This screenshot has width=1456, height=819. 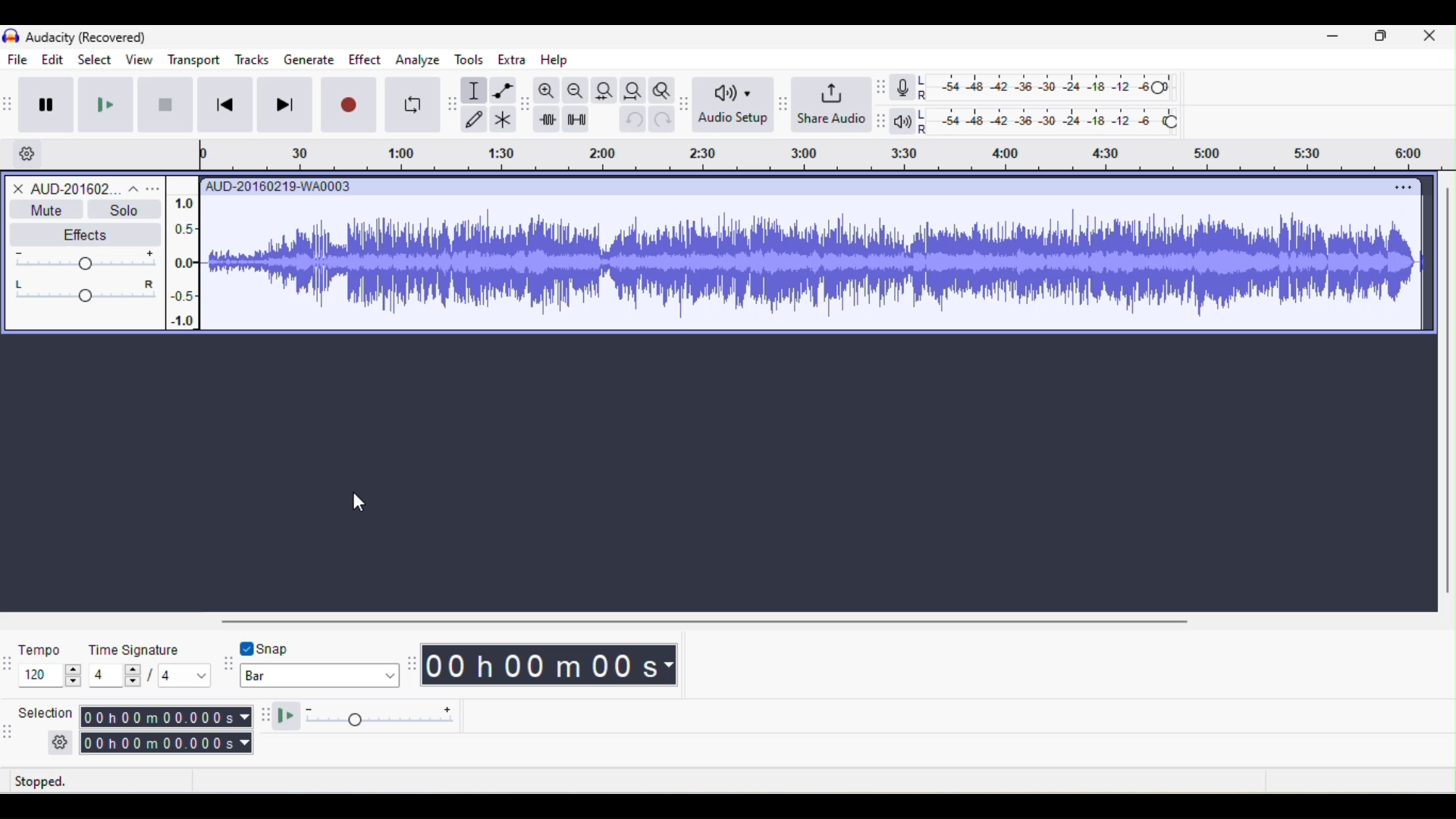 What do you see at coordinates (48, 728) in the screenshot?
I see `selection` at bounding box center [48, 728].